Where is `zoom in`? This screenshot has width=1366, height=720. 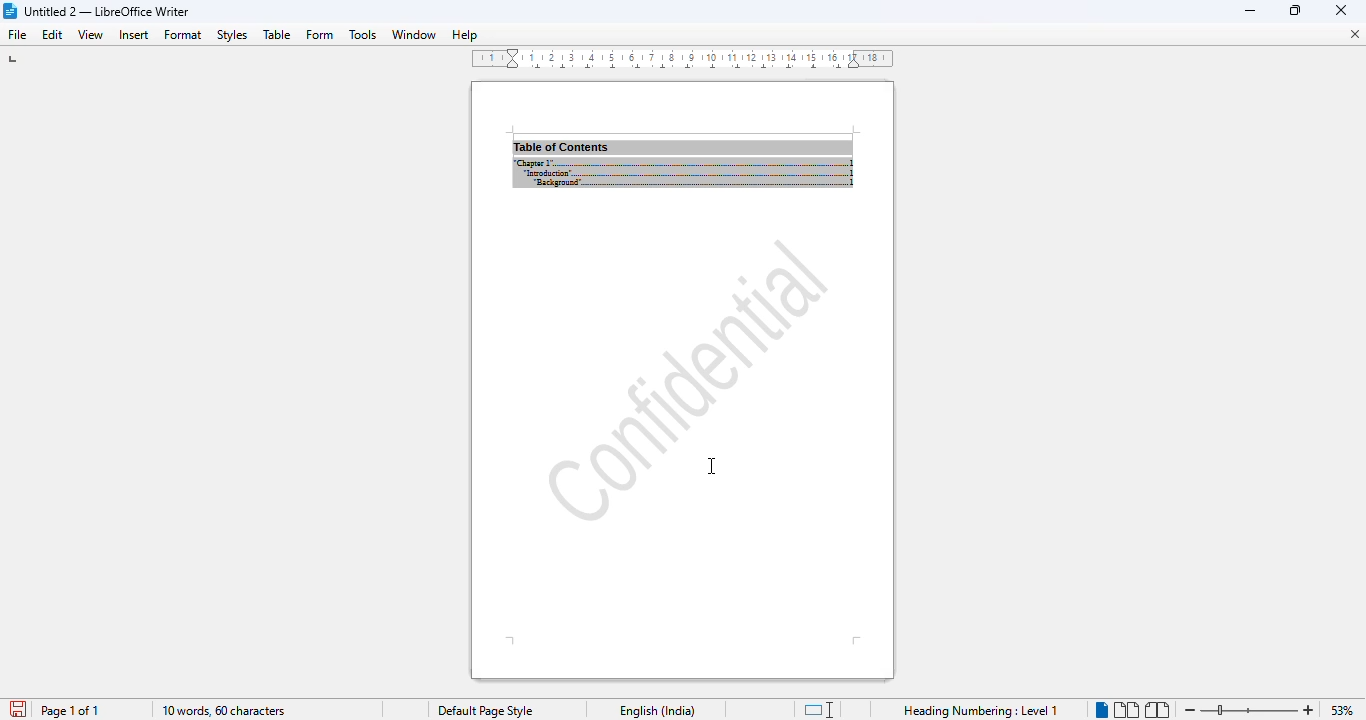
zoom in is located at coordinates (1311, 709).